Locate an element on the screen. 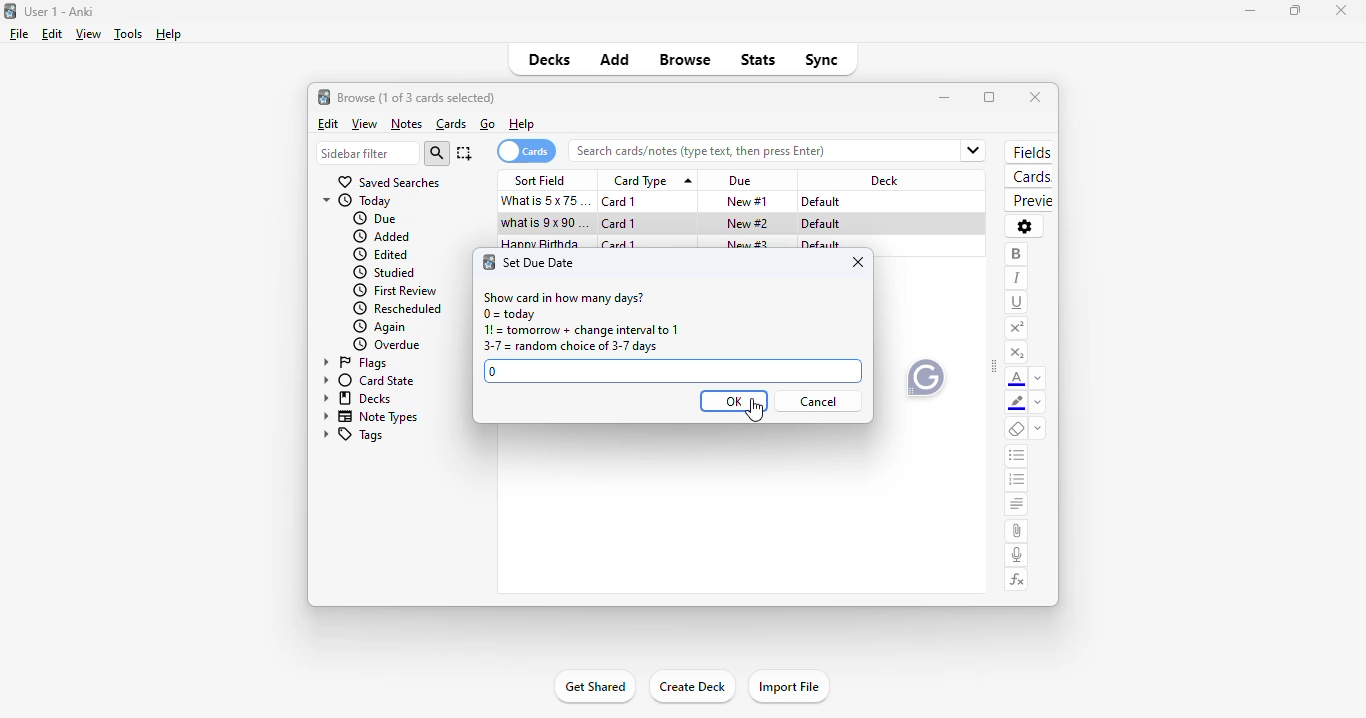  1! = tomorrow + change interval to 1 is located at coordinates (583, 331).